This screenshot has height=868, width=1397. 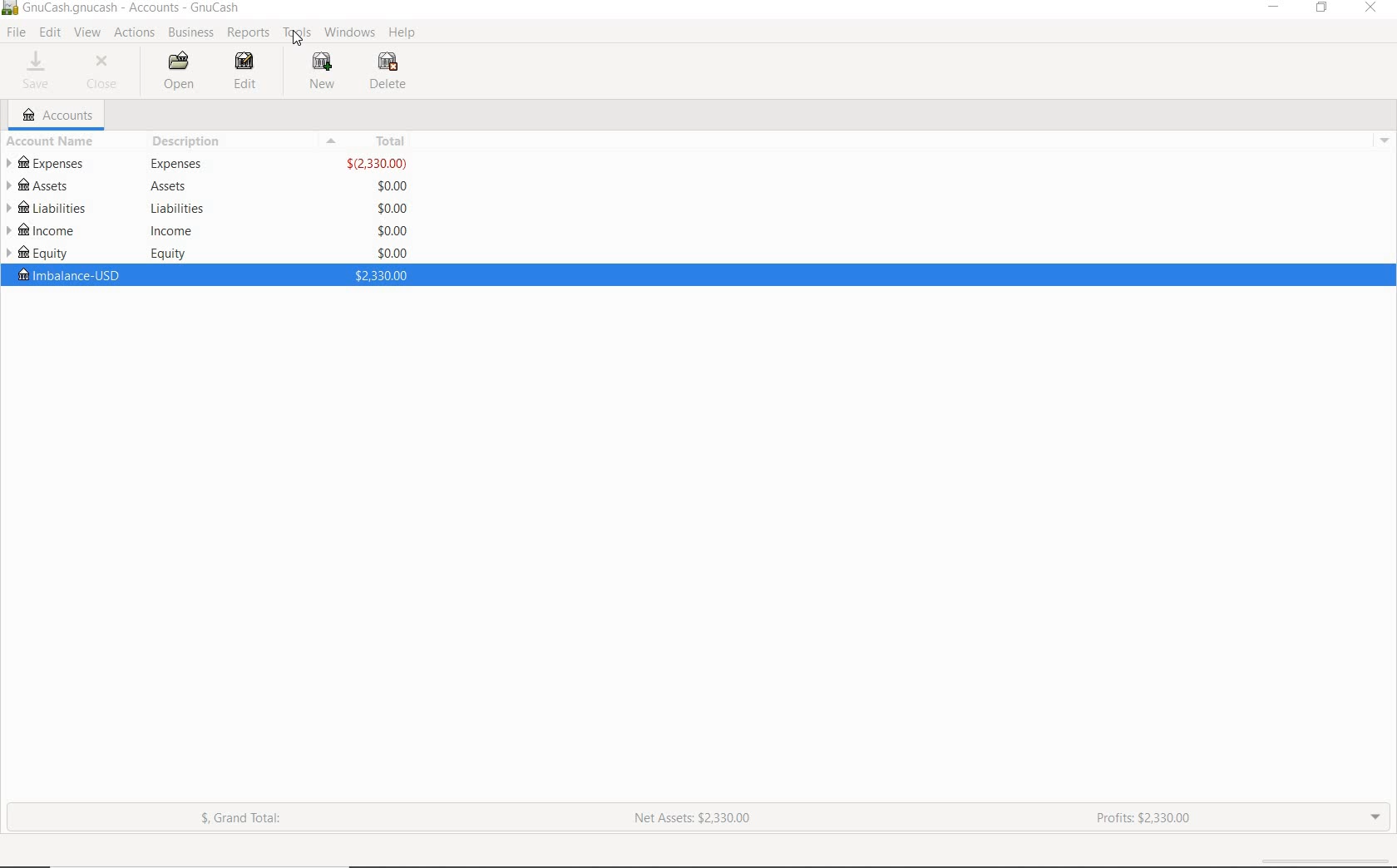 I want to click on ASSETS, so click(x=205, y=185).